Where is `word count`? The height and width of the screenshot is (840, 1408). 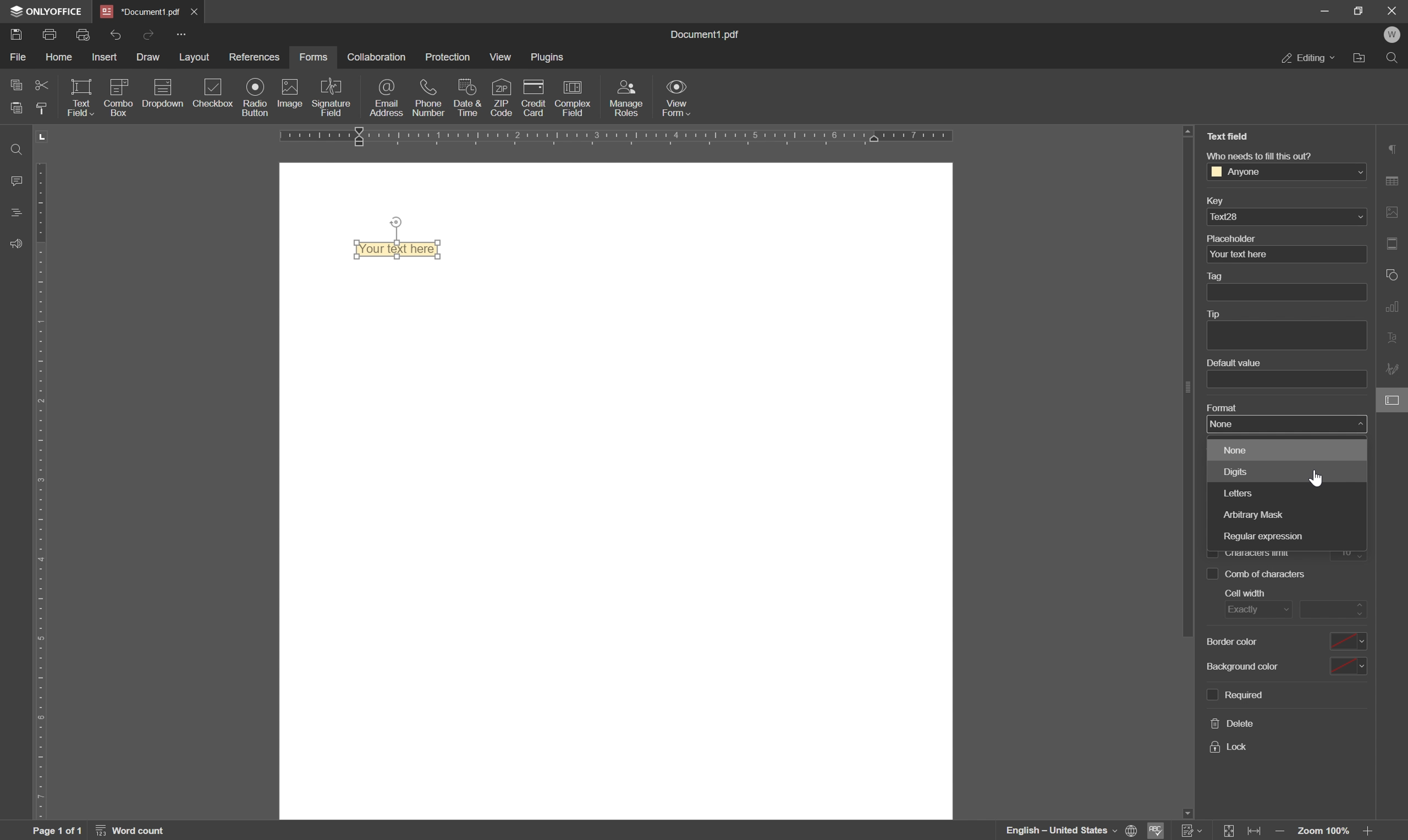
word count is located at coordinates (131, 831).